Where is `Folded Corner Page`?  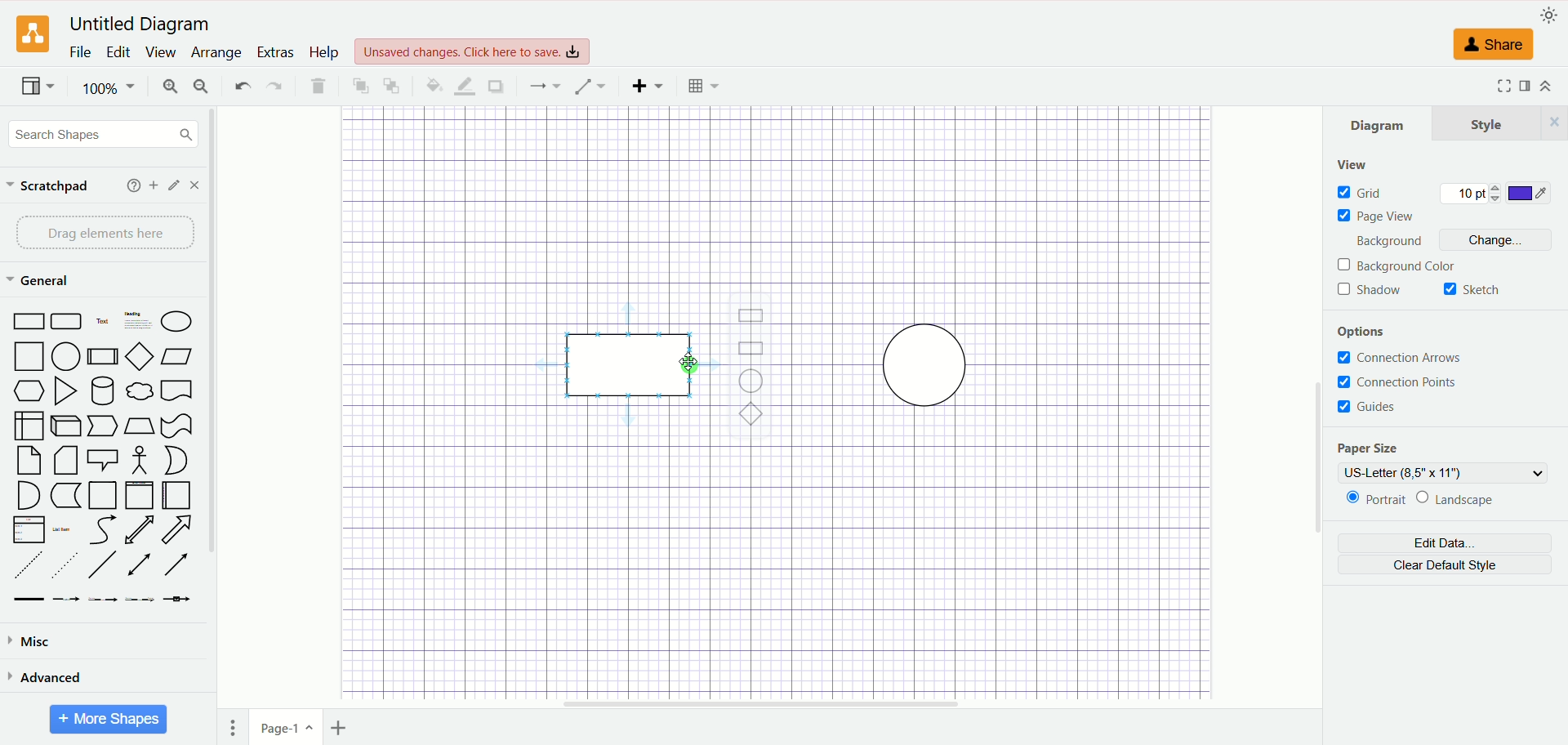
Folded Corner Page is located at coordinates (65, 460).